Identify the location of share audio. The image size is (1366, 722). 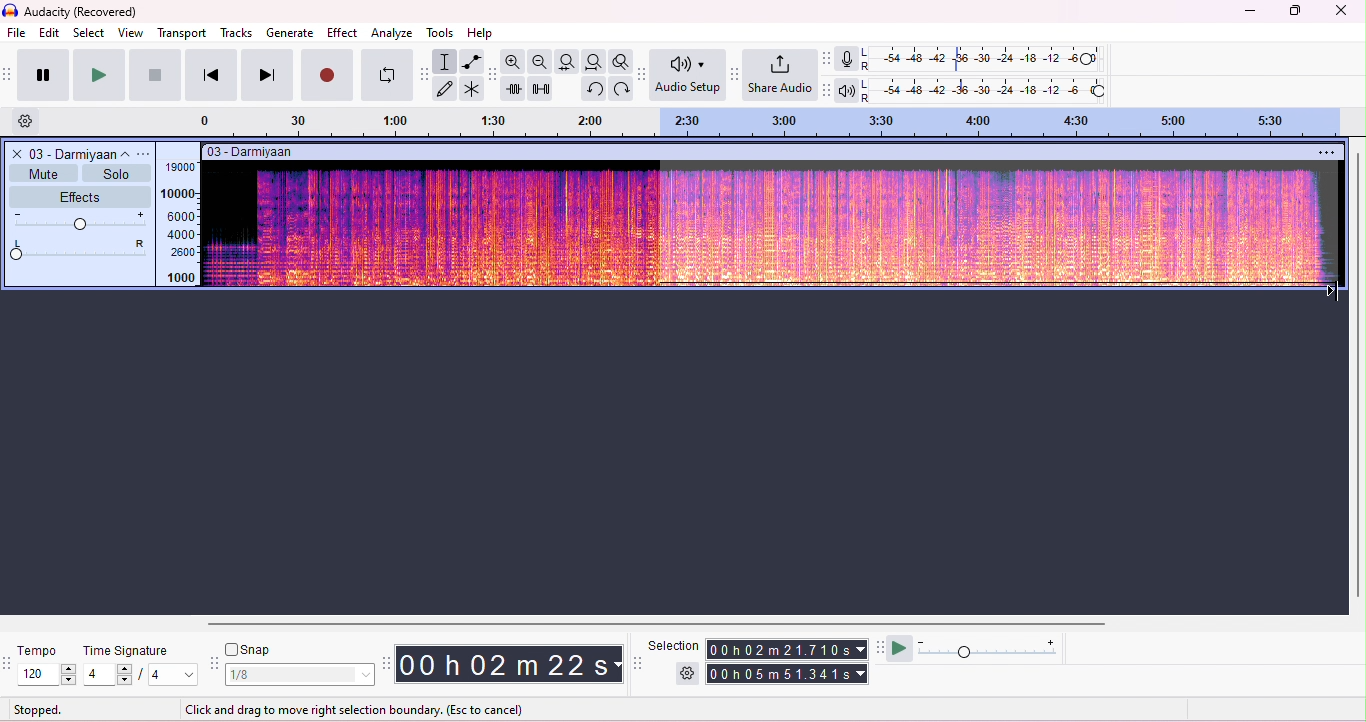
(782, 76).